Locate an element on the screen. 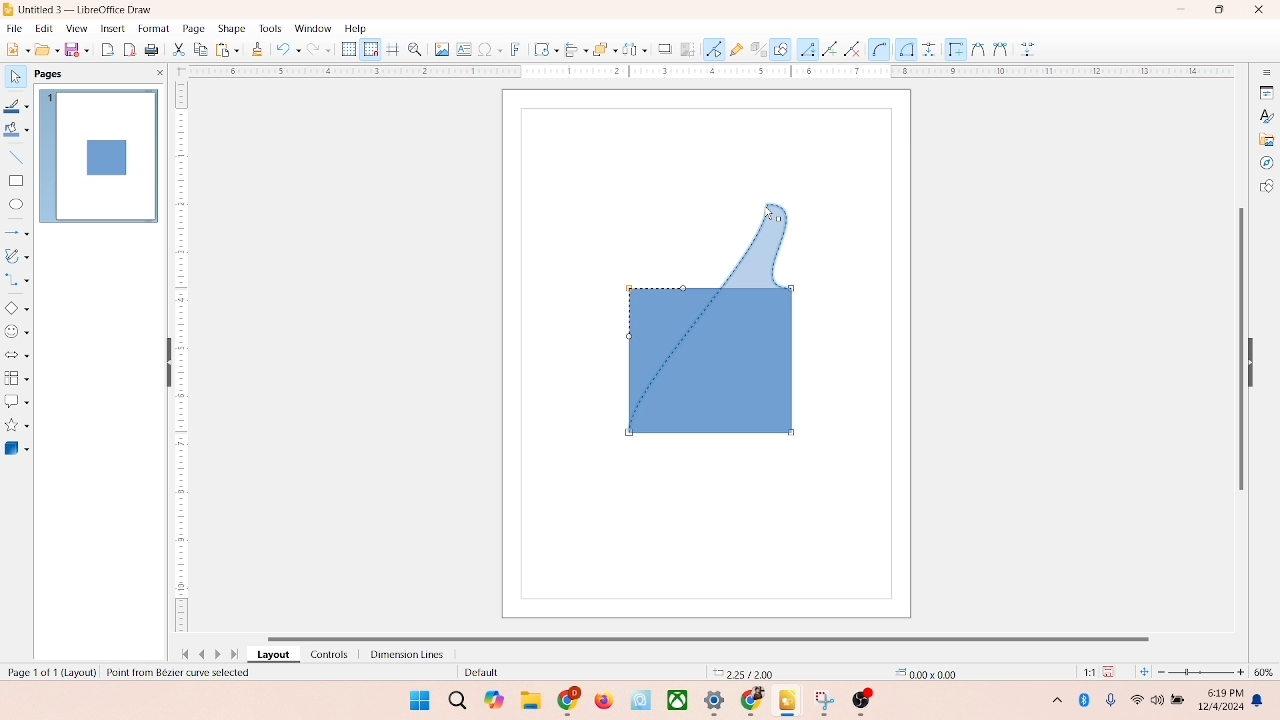 This screenshot has width=1280, height=720. hide is located at coordinates (1256, 359).